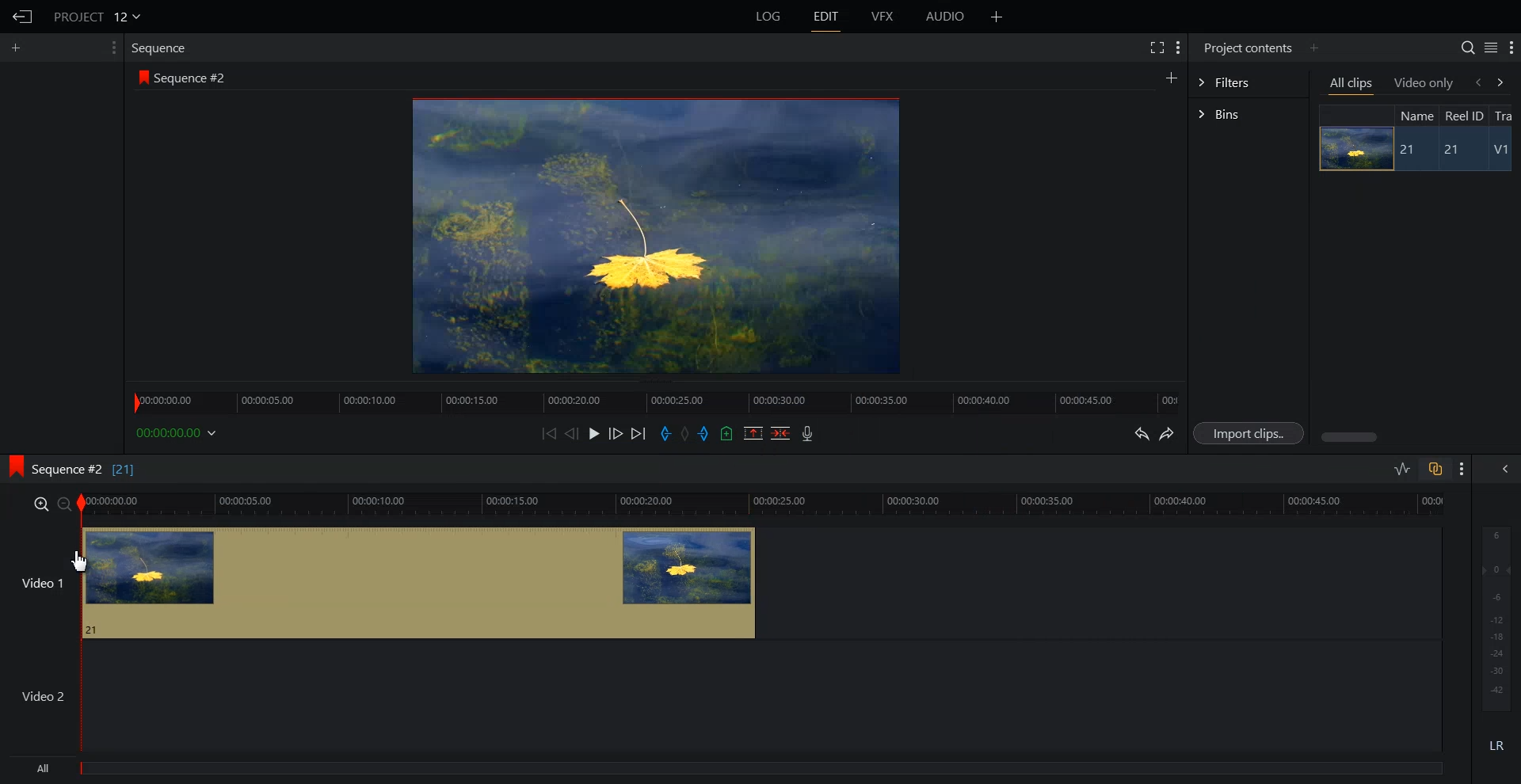 Image resolution: width=1521 pixels, height=784 pixels. I want to click on Nurse one frame forward, so click(616, 433).